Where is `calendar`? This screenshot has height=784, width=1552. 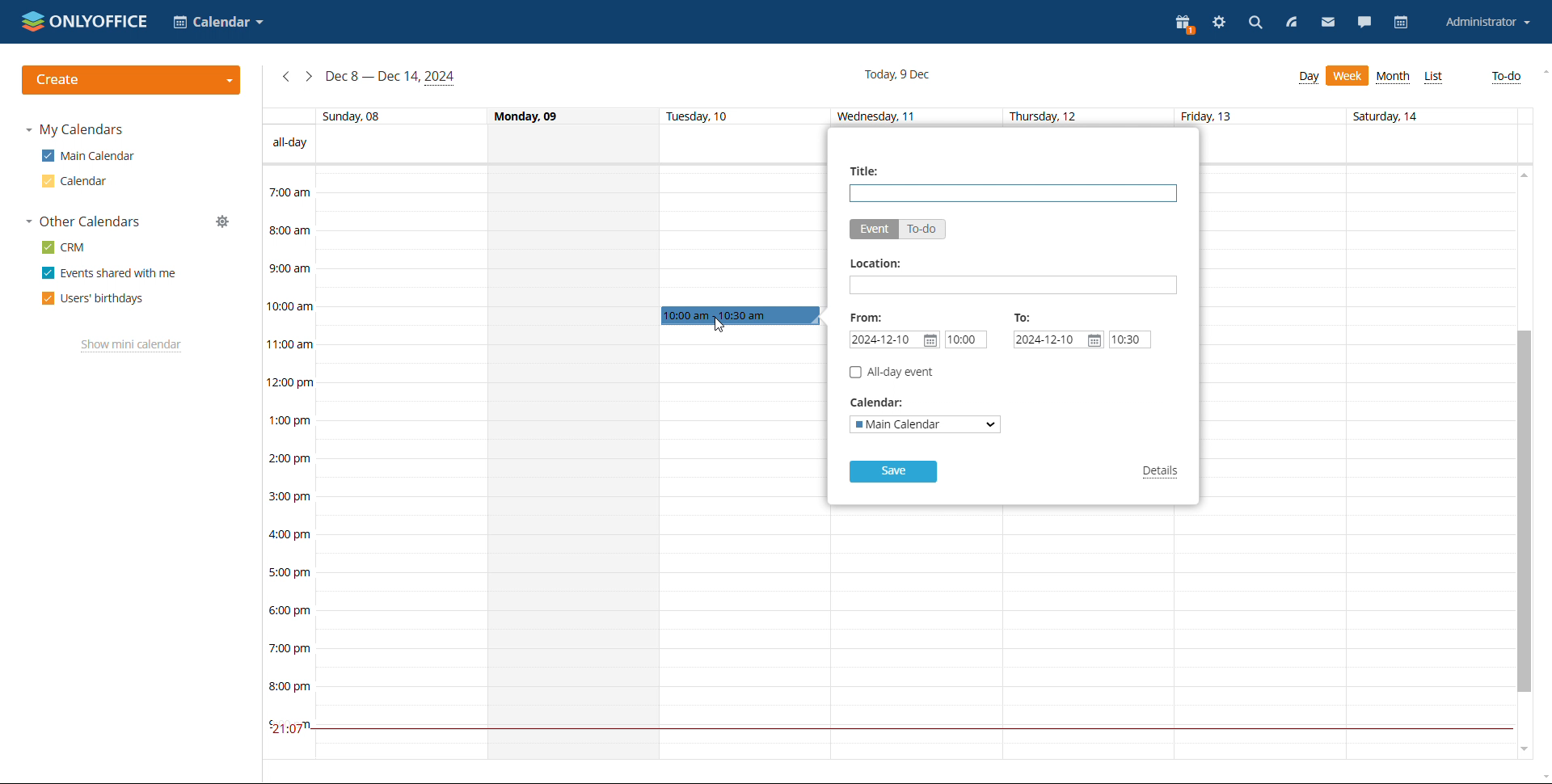 calendar is located at coordinates (72, 181).